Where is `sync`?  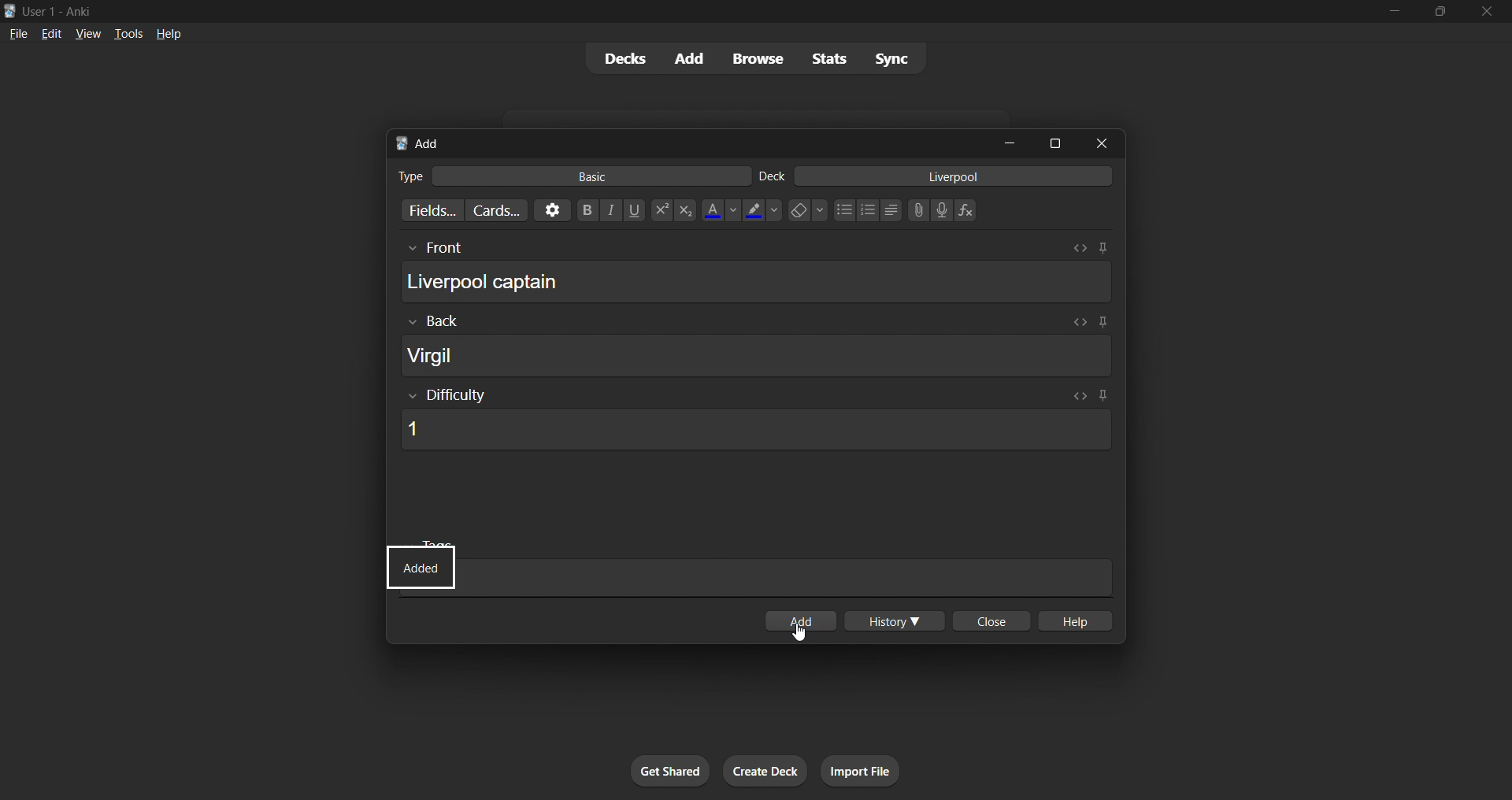 sync is located at coordinates (891, 57).